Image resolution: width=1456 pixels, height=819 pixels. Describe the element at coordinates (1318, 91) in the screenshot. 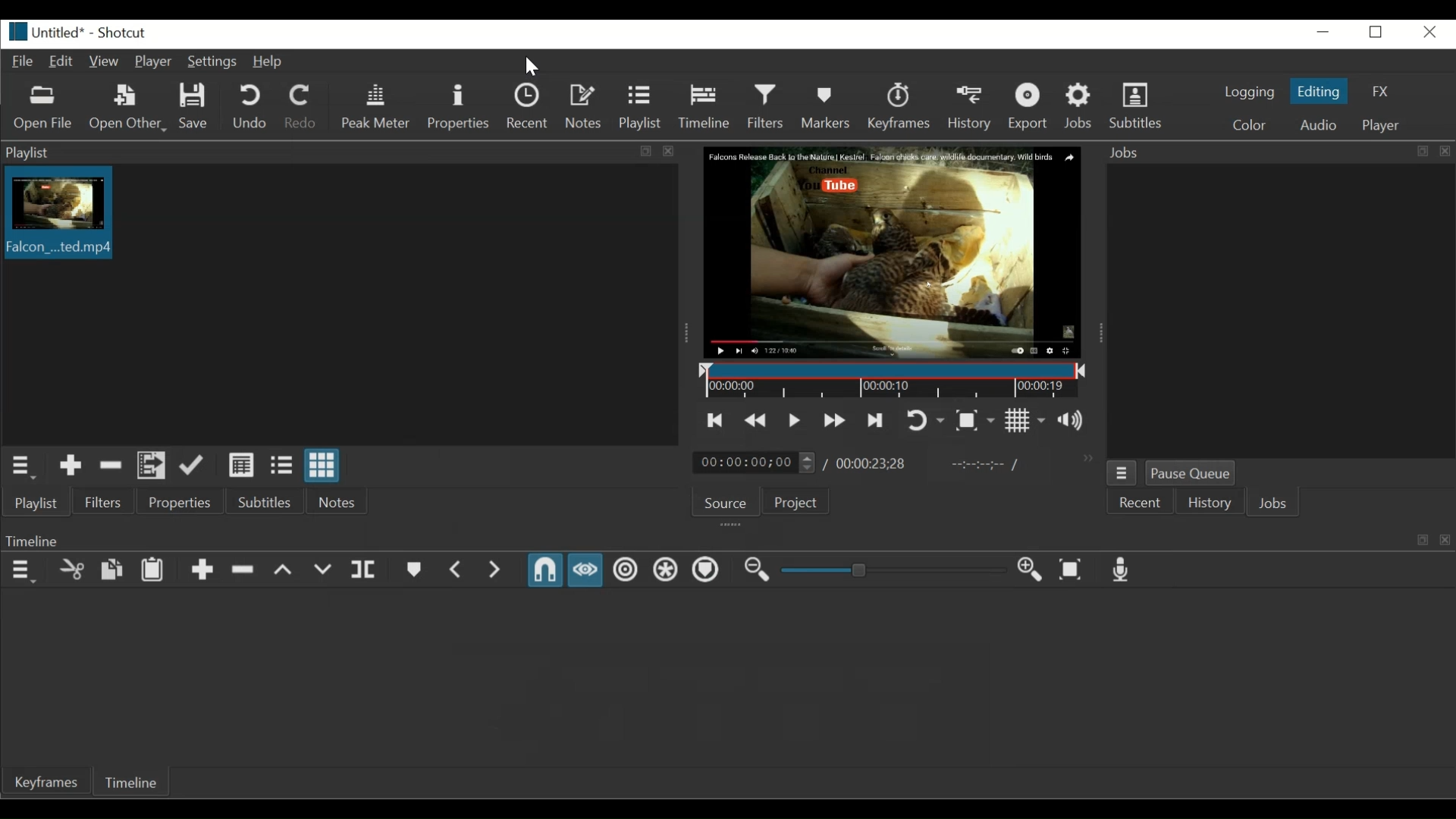

I see `Editing` at that location.